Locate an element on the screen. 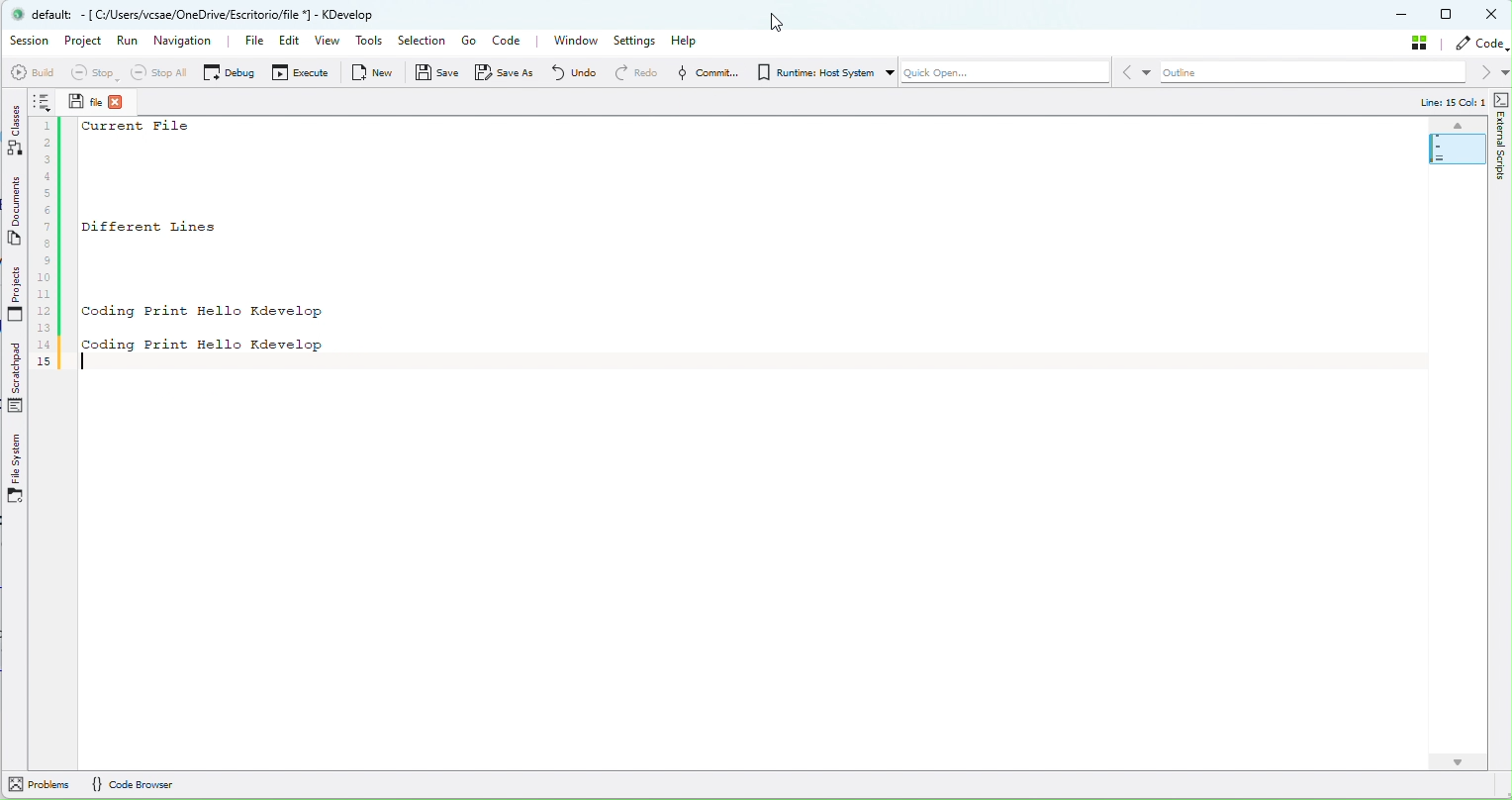 The image size is (1512, 800). Commit is located at coordinates (705, 72).